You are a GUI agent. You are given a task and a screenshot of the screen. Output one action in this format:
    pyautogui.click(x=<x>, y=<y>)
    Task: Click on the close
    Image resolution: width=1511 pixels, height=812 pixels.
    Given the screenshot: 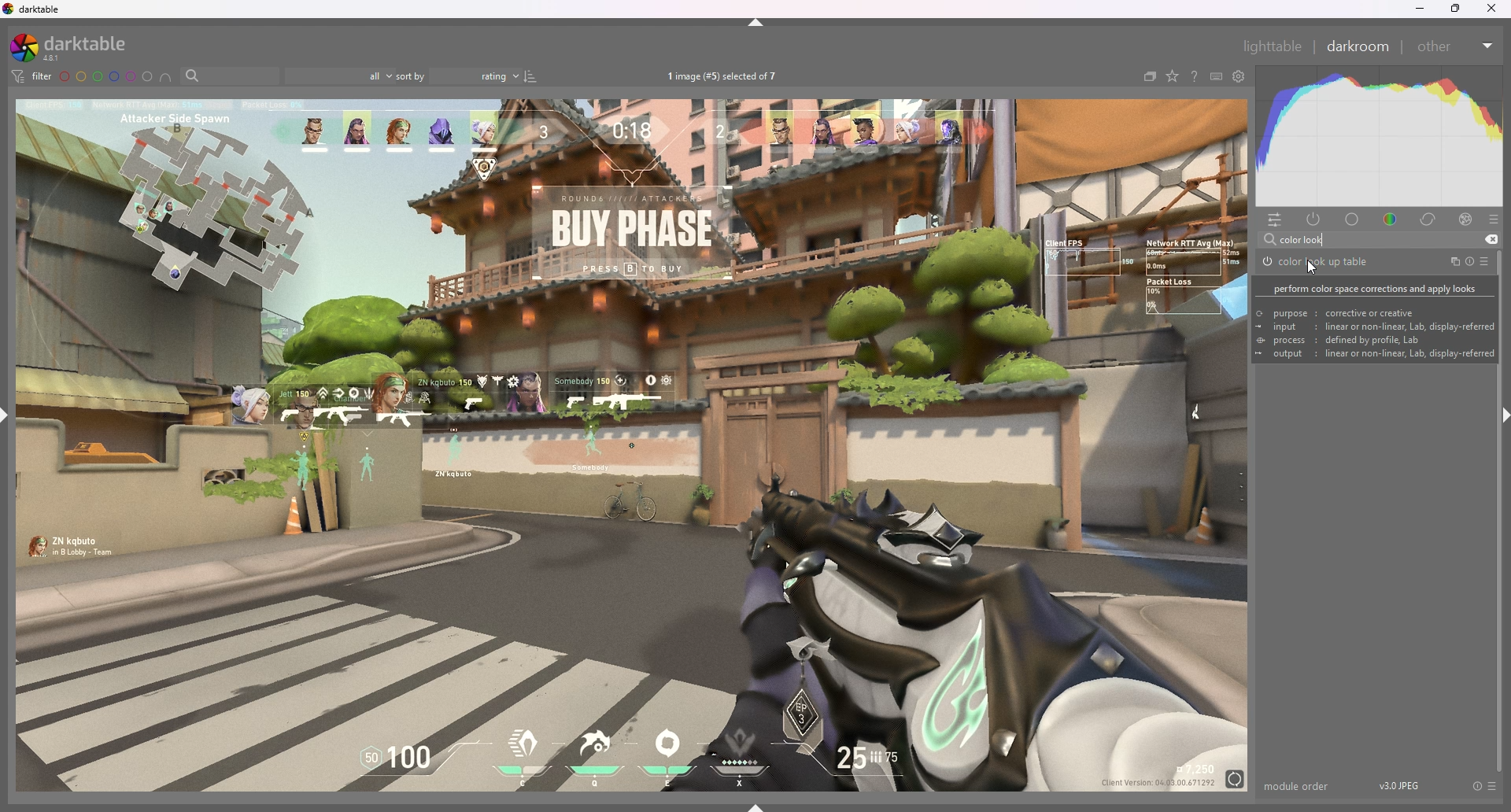 What is the action you would take?
    pyautogui.click(x=1491, y=8)
    